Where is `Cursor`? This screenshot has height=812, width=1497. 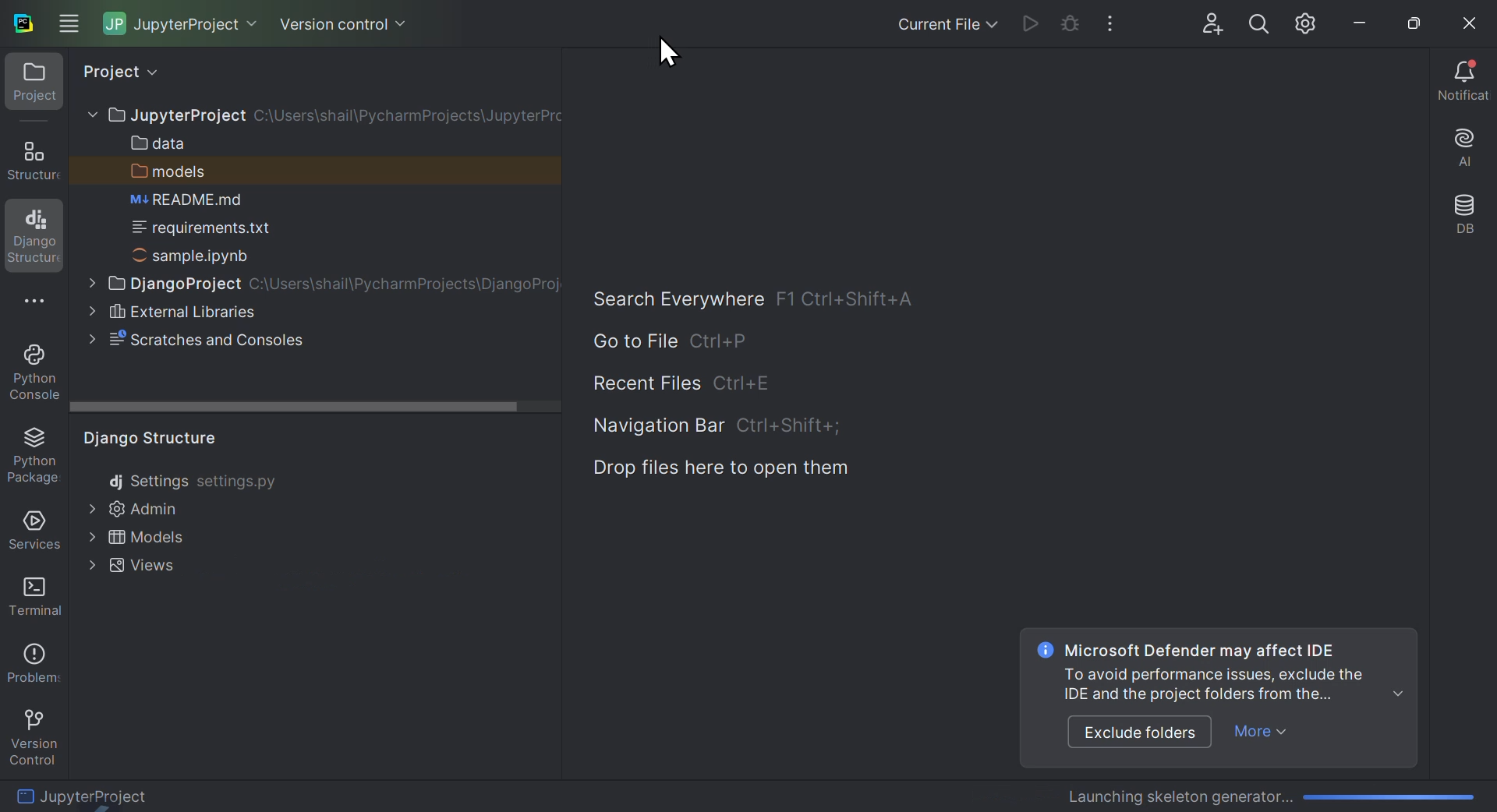 Cursor is located at coordinates (672, 51).